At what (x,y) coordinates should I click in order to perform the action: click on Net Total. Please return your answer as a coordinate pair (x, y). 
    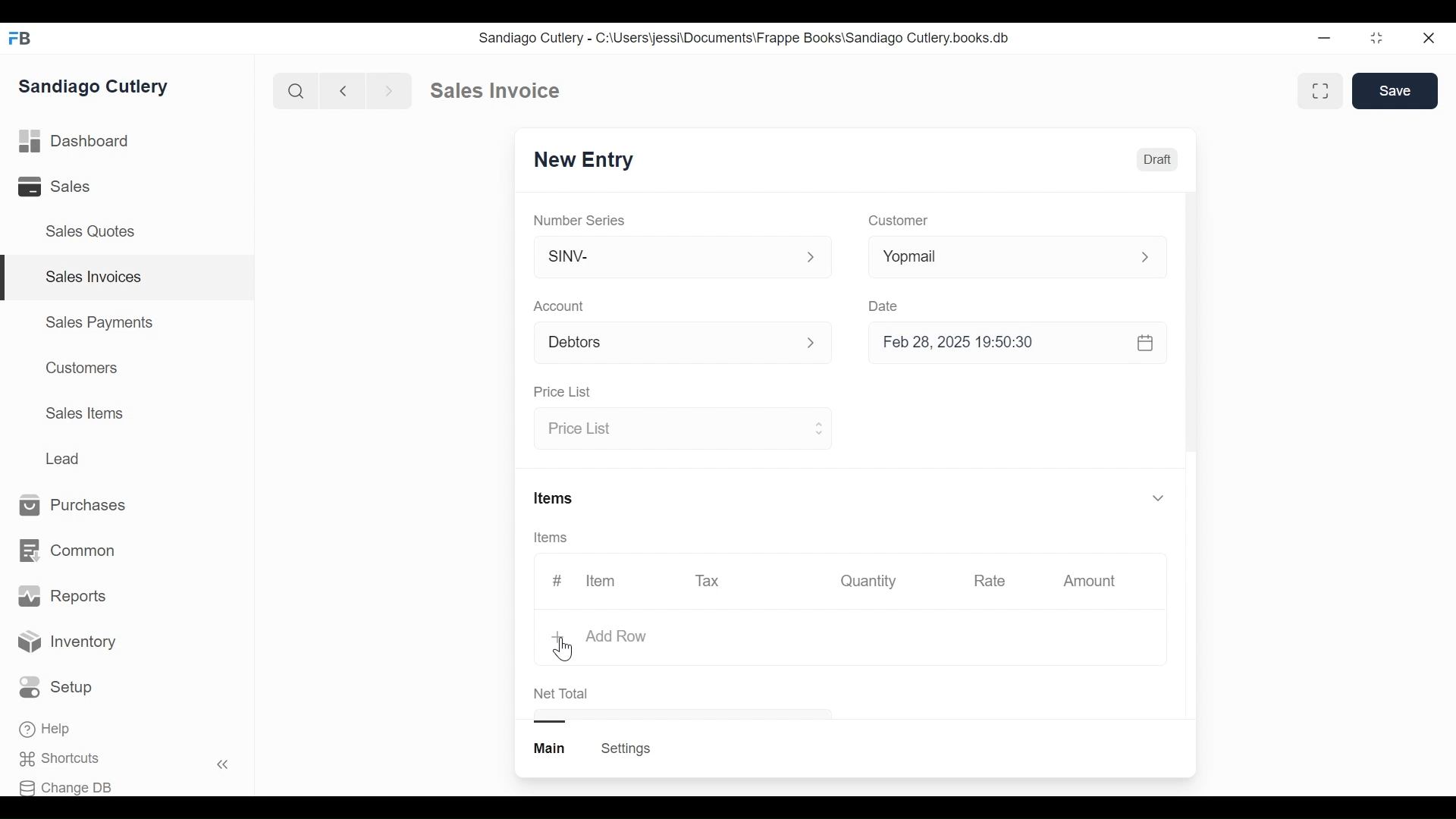
    Looking at the image, I should click on (564, 693).